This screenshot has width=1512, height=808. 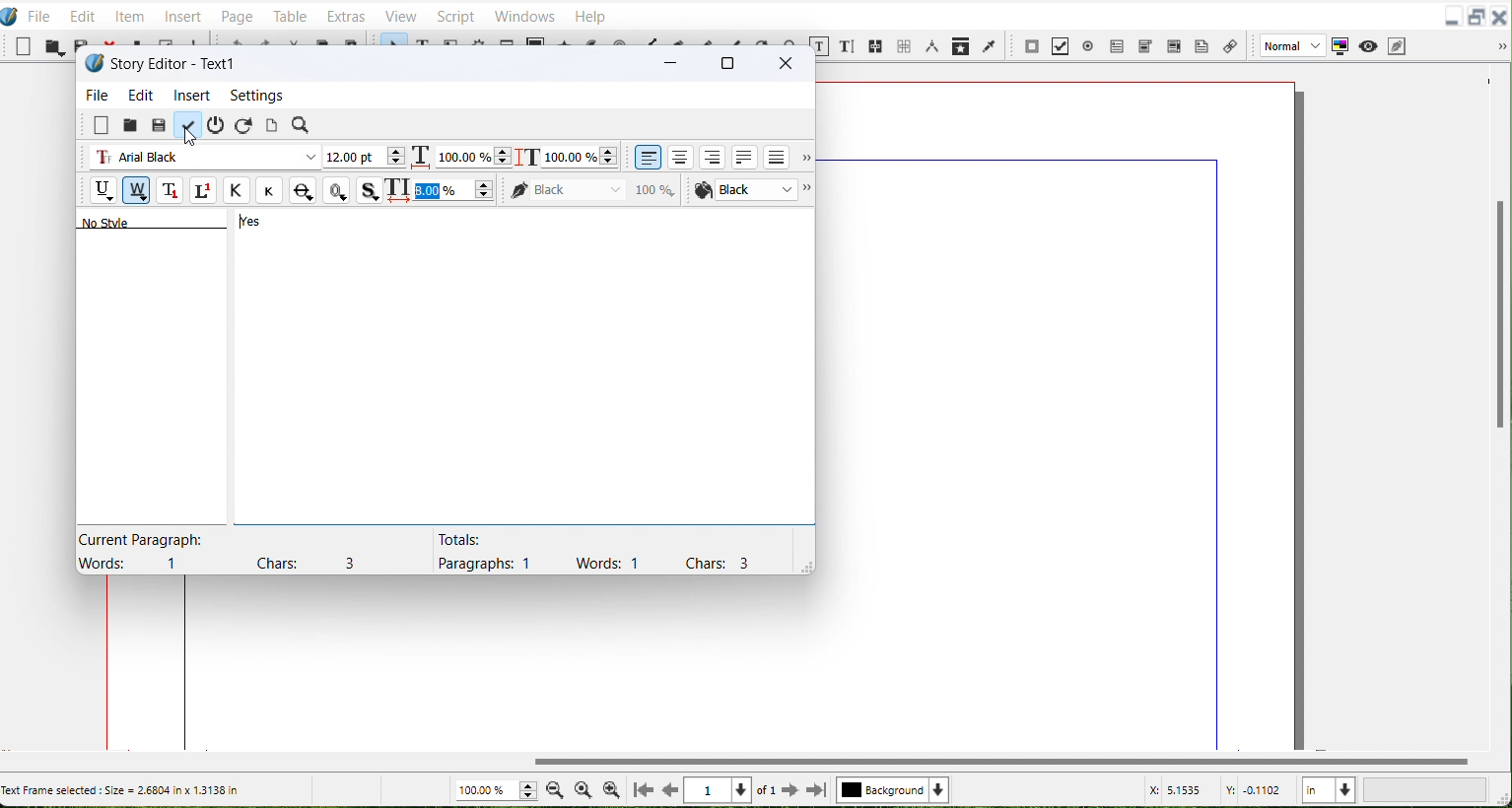 What do you see at coordinates (158, 126) in the screenshot?
I see `Save from file` at bounding box center [158, 126].